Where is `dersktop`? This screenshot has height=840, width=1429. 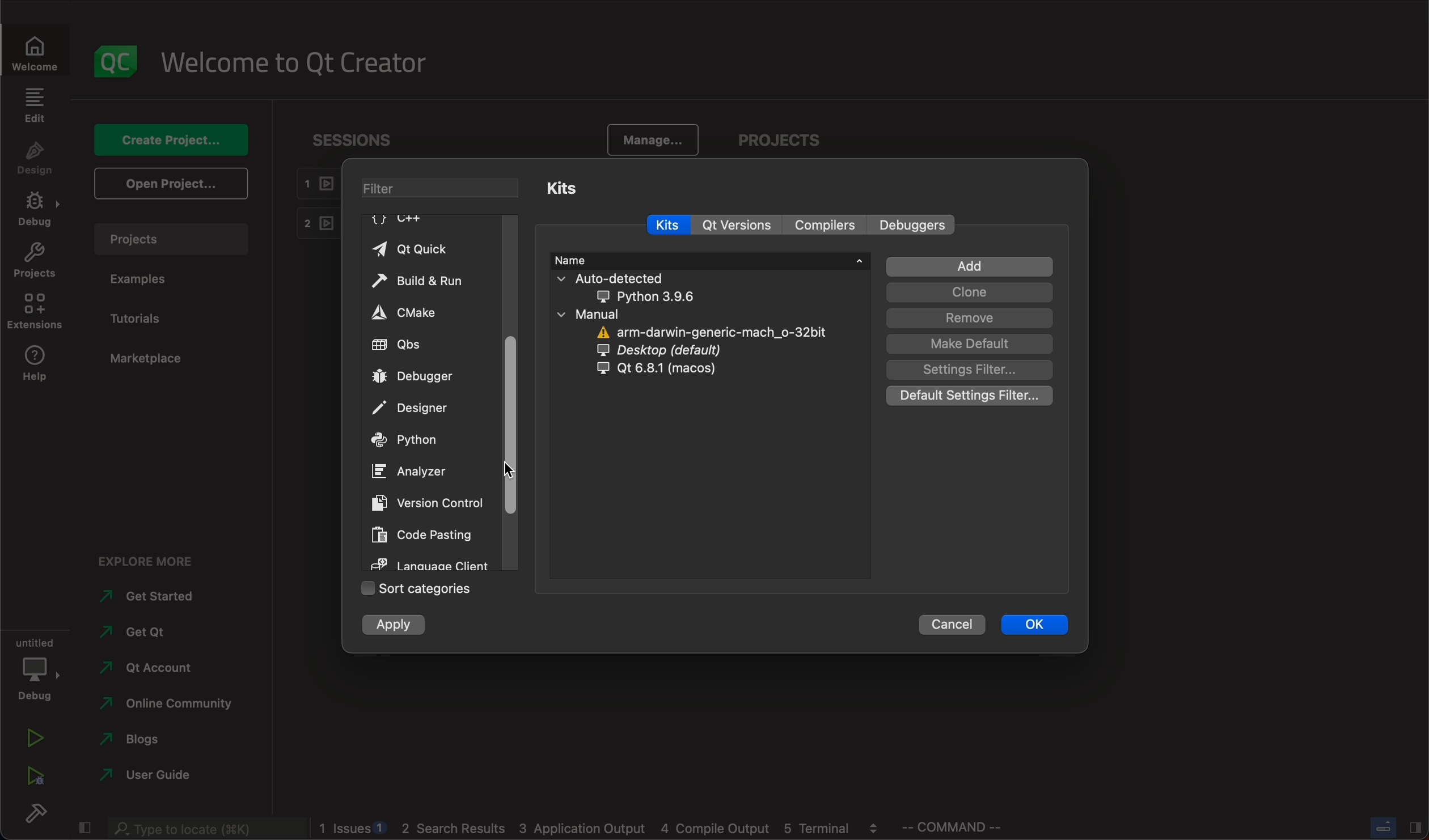
dersktop is located at coordinates (673, 351).